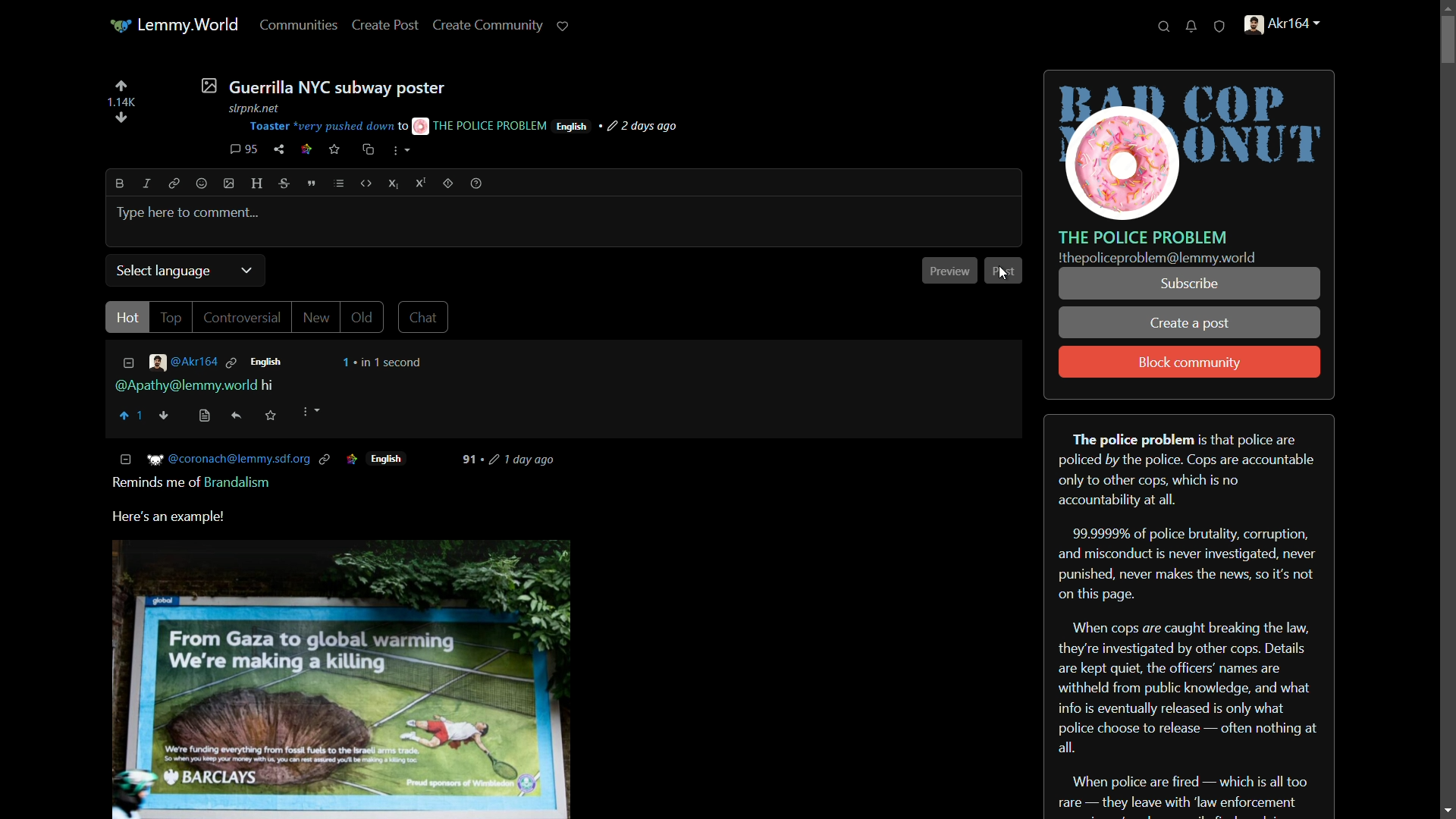 Image resolution: width=1456 pixels, height=819 pixels. What do you see at coordinates (1444, 409) in the screenshot?
I see `scroll bar` at bounding box center [1444, 409].